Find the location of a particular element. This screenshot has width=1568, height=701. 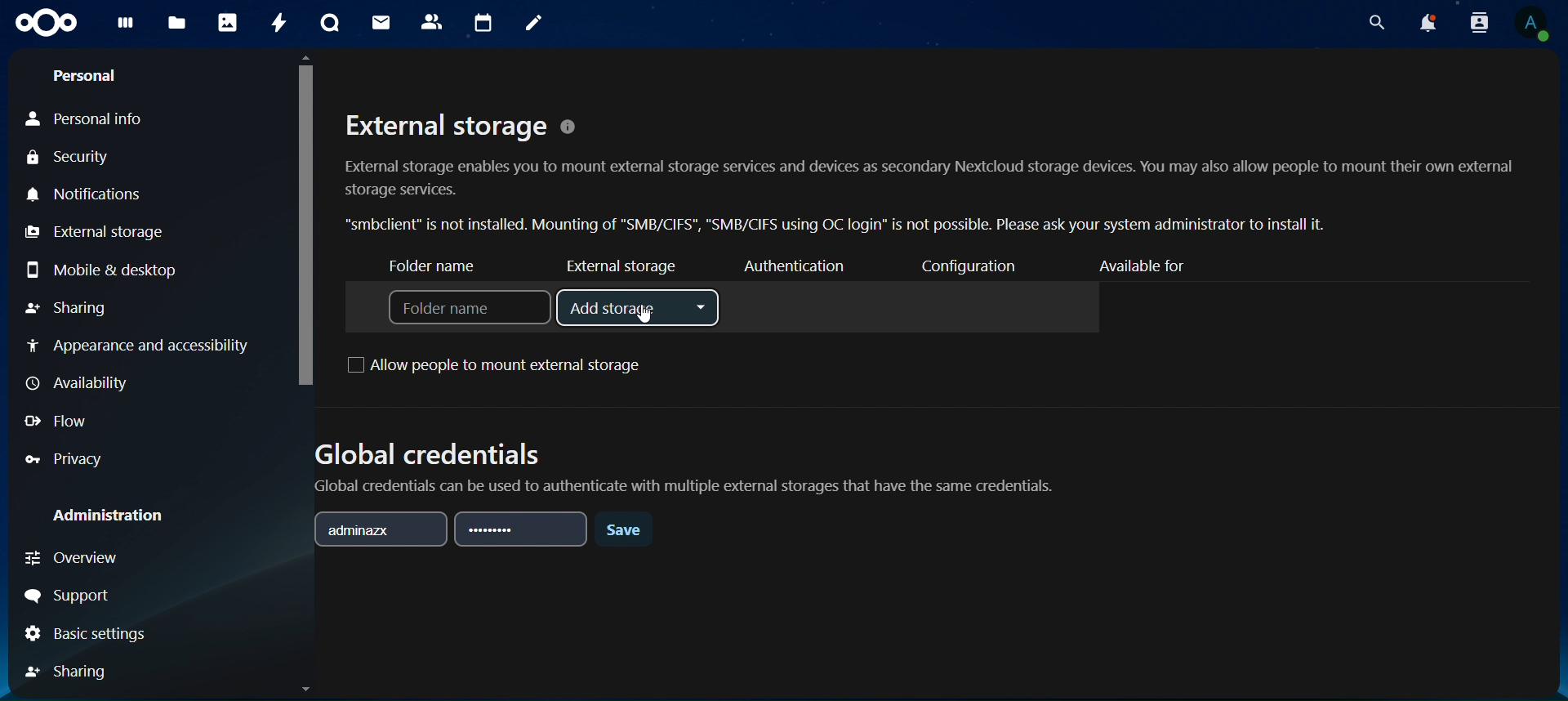

mail is located at coordinates (381, 24).